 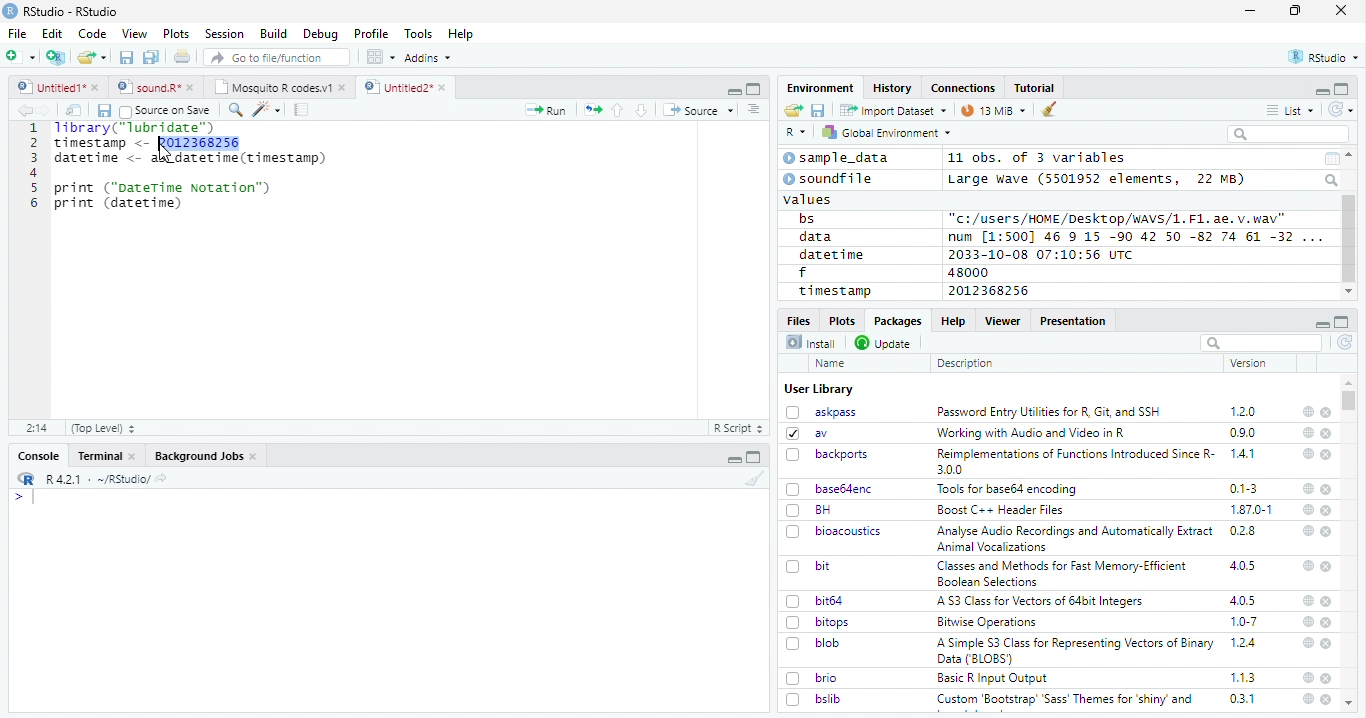 What do you see at coordinates (733, 89) in the screenshot?
I see `minimize` at bounding box center [733, 89].